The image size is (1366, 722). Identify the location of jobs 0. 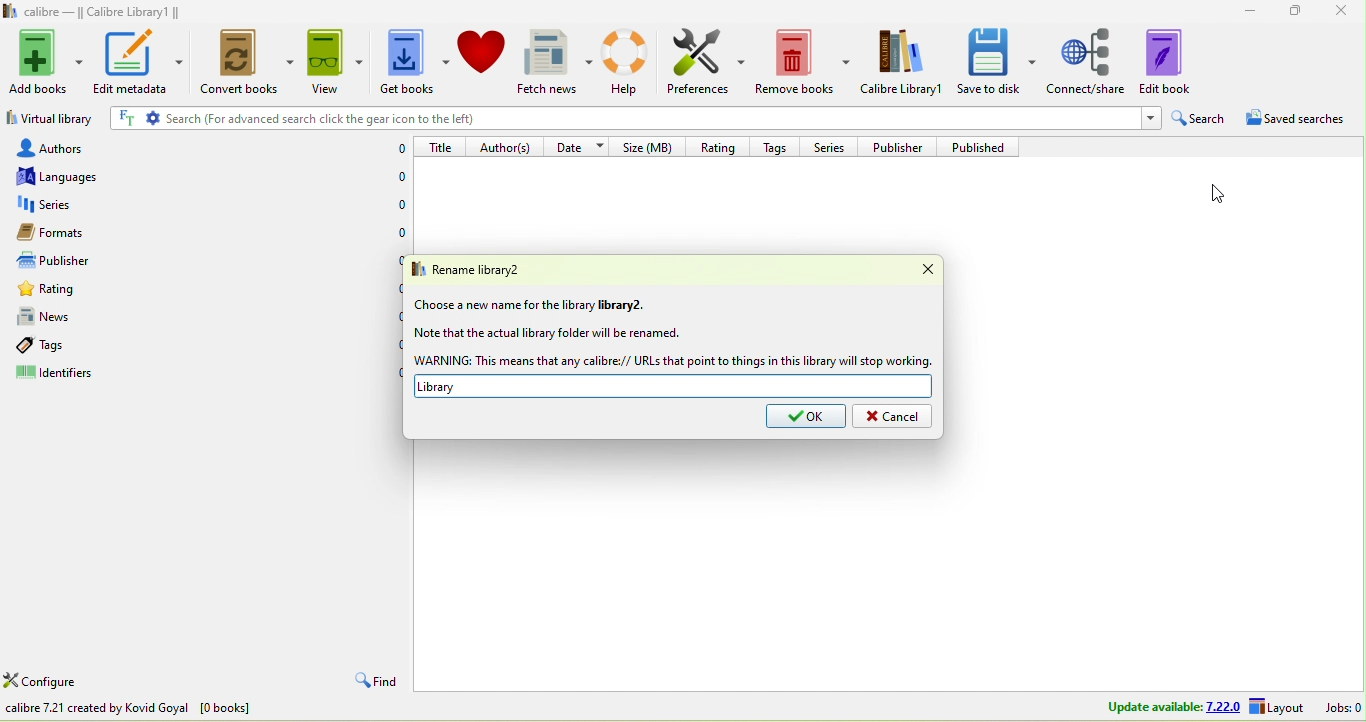
(1343, 707).